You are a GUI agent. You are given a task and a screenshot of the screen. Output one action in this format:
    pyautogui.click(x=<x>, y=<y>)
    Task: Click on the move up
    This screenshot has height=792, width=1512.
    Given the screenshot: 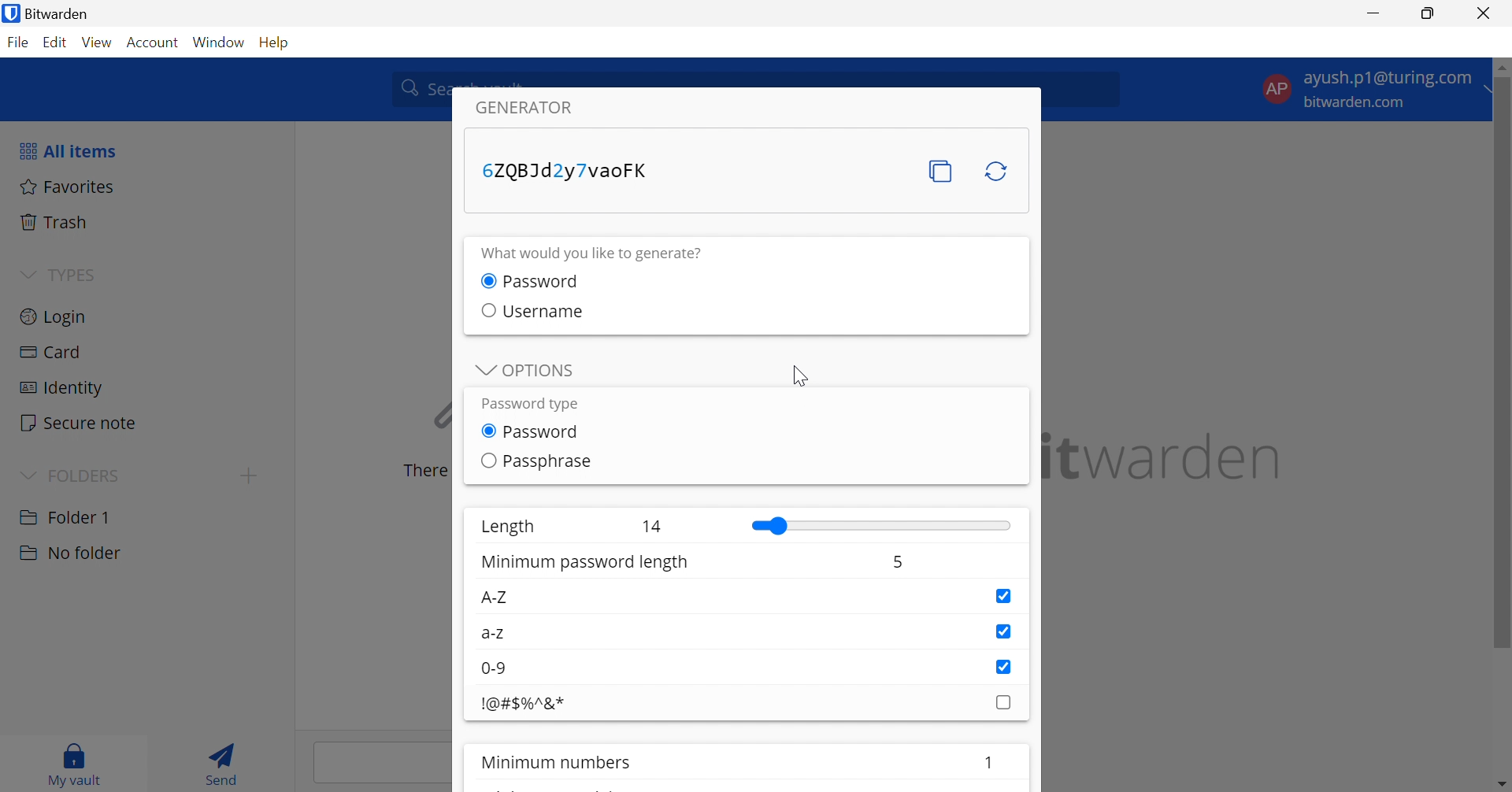 What is the action you would take?
    pyautogui.click(x=1503, y=68)
    